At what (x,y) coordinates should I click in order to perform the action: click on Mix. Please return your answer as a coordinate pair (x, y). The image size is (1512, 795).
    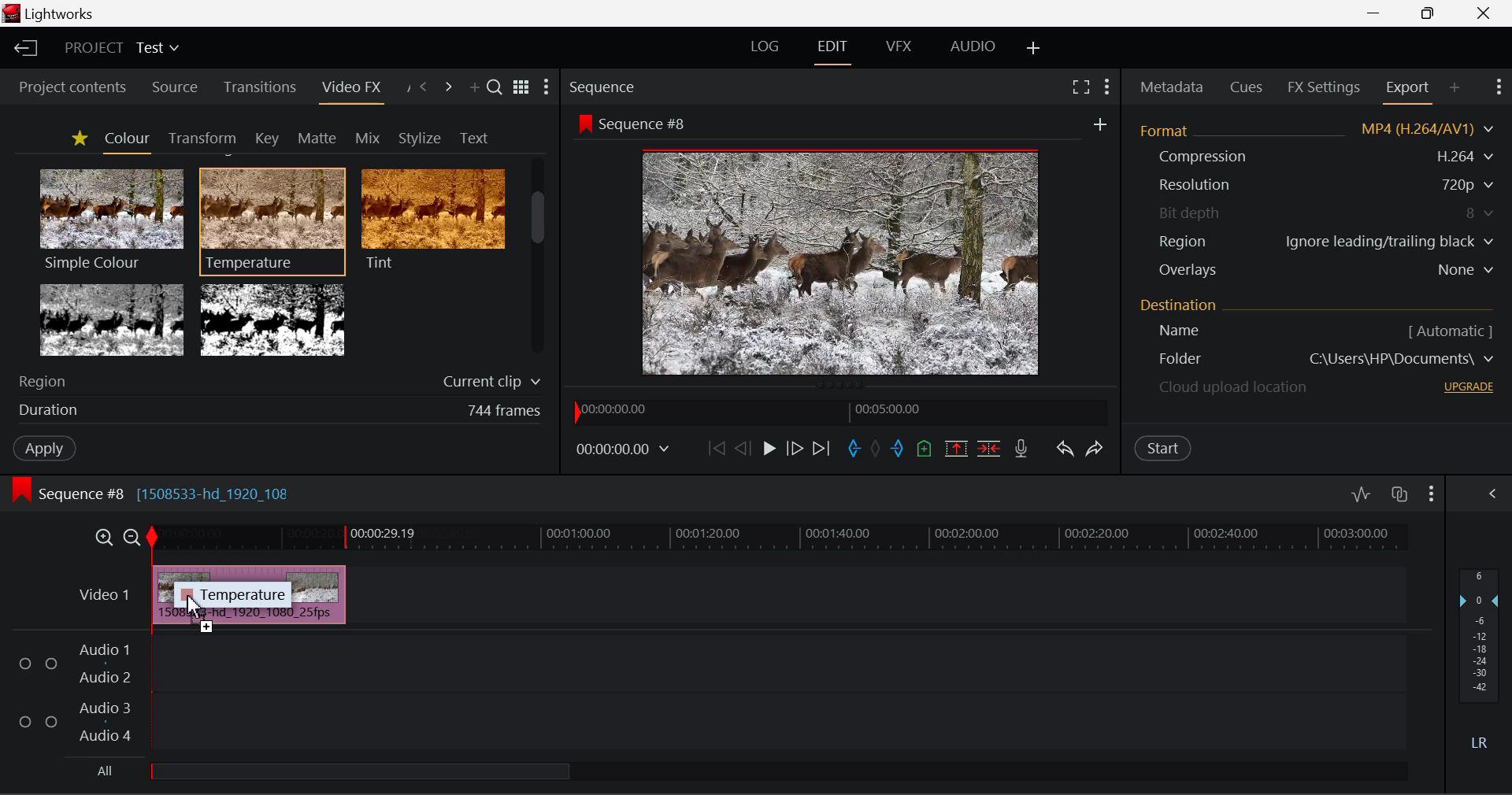
    Looking at the image, I should click on (369, 135).